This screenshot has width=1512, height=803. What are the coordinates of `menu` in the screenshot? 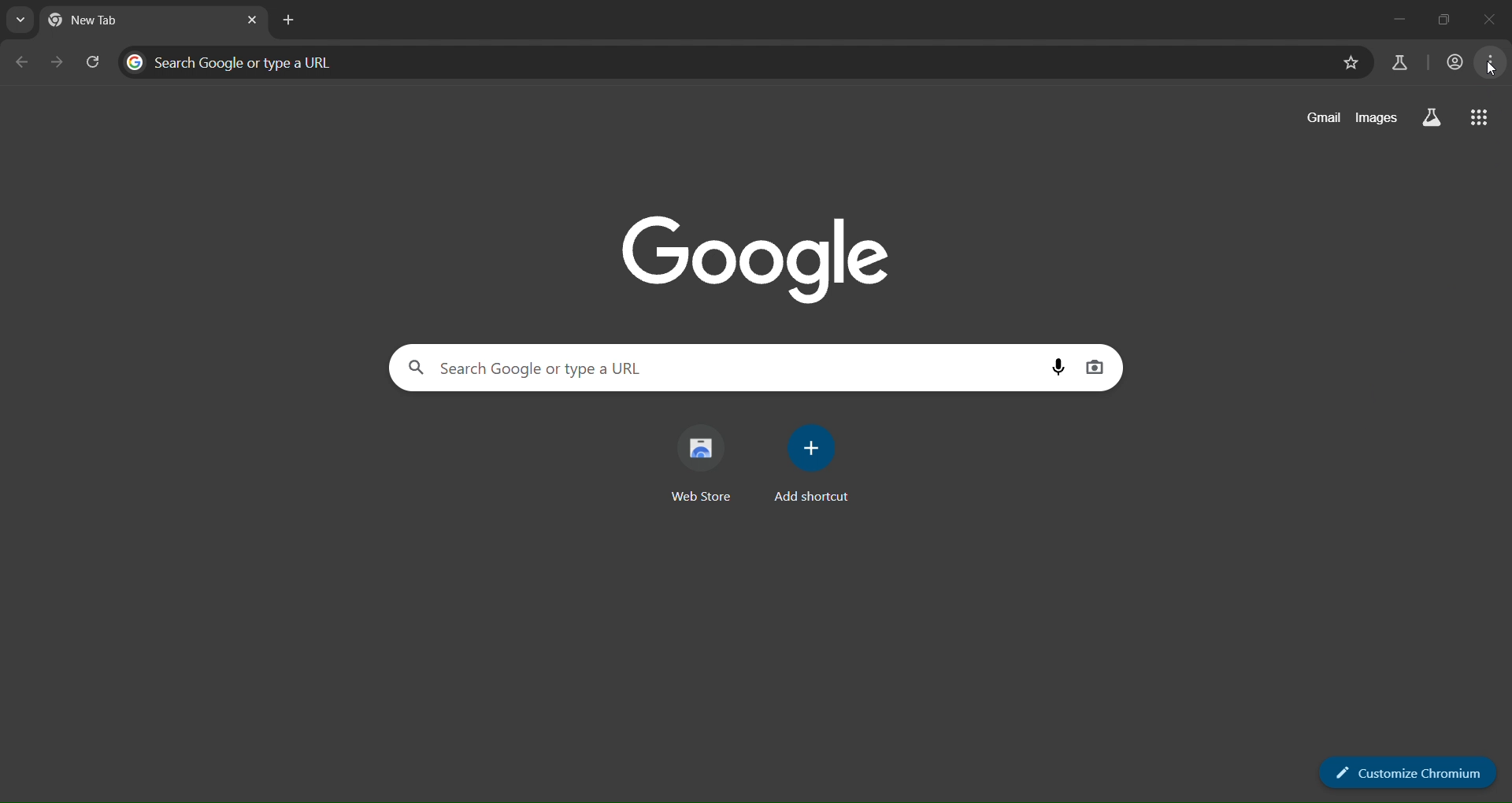 It's located at (1491, 65).